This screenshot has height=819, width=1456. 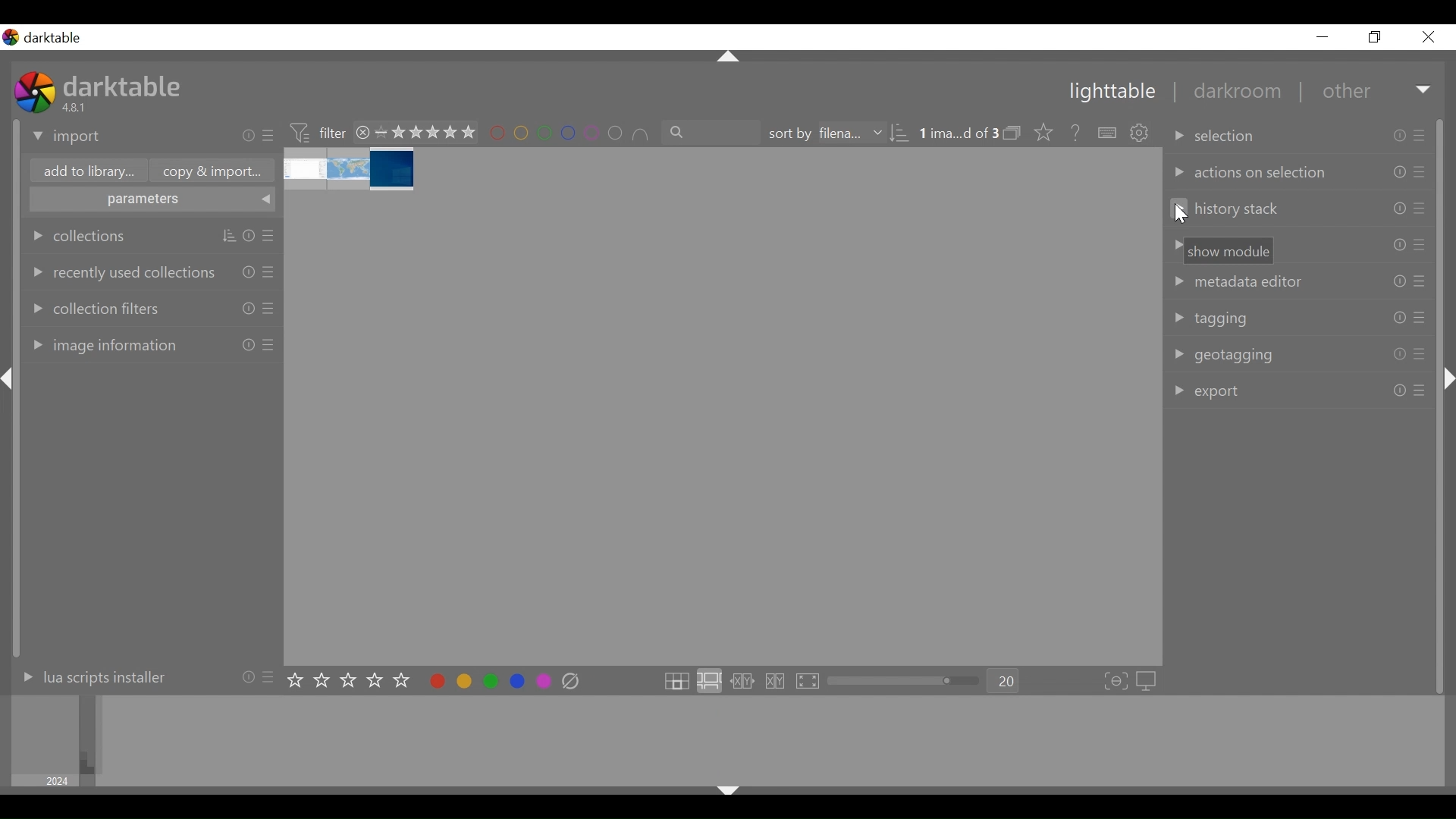 What do you see at coordinates (58, 38) in the screenshot?
I see `darktable` at bounding box center [58, 38].